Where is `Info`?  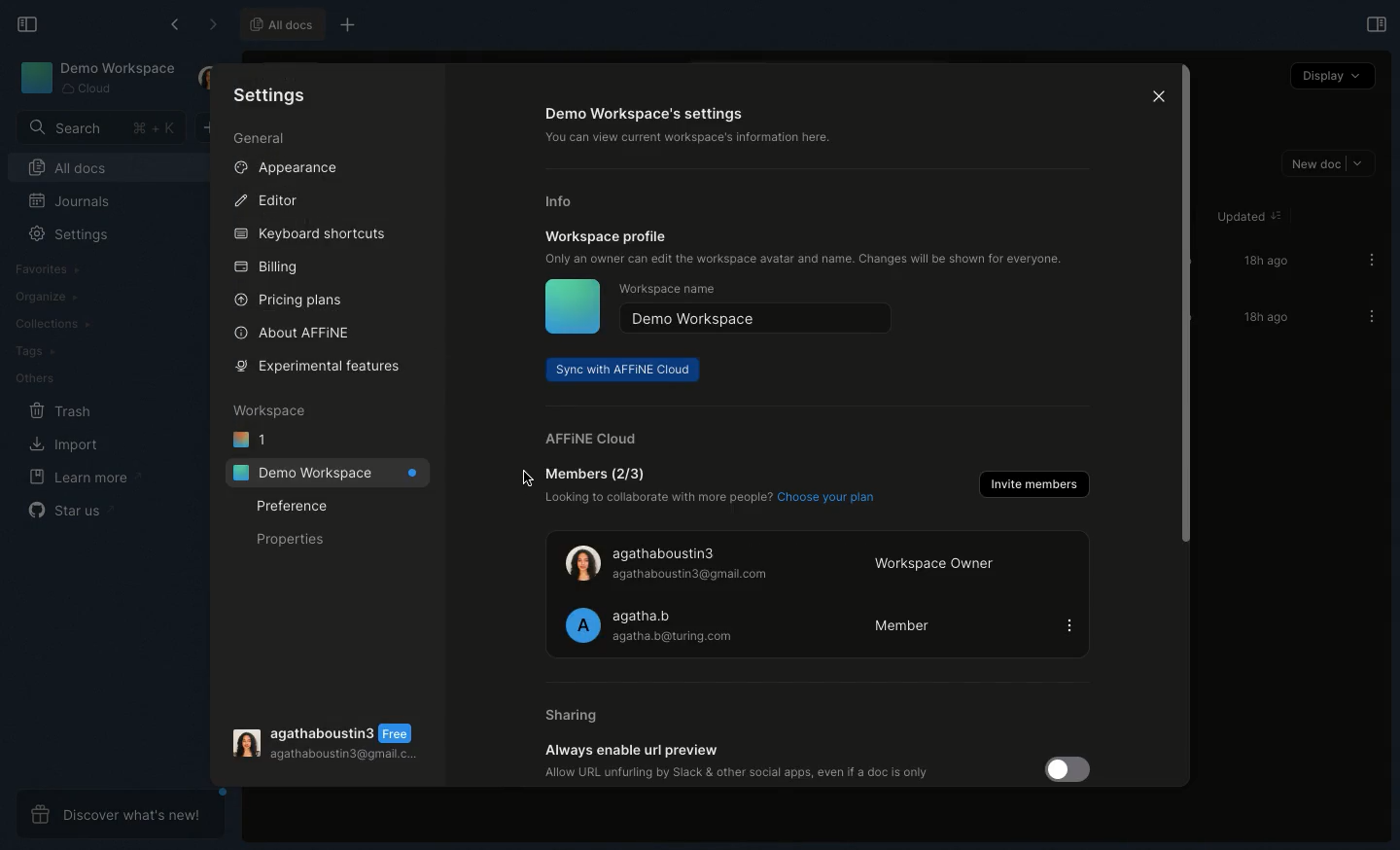 Info is located at coordinates (567, 200).